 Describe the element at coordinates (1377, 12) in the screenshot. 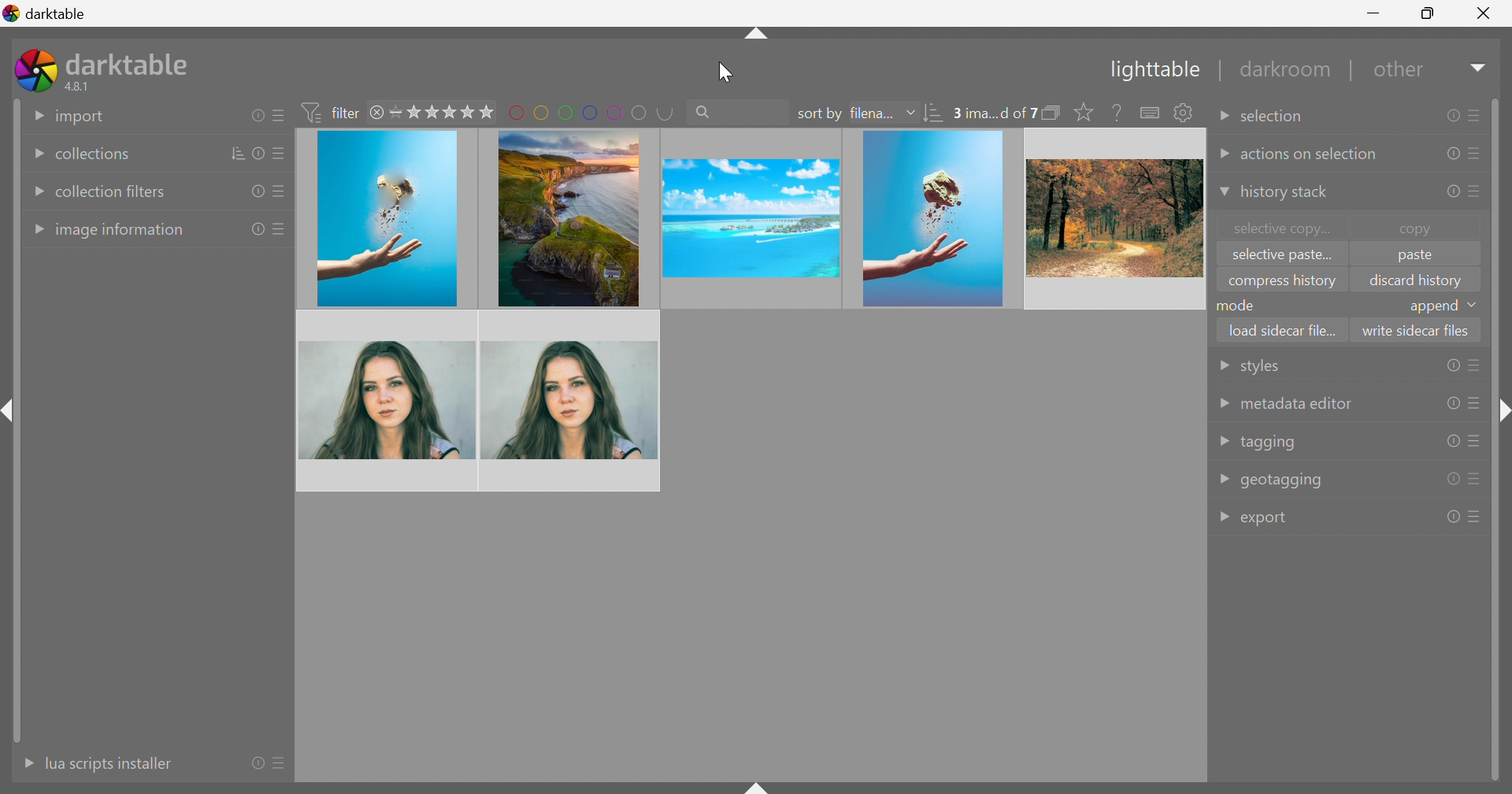

I see `Minimize` at that location.